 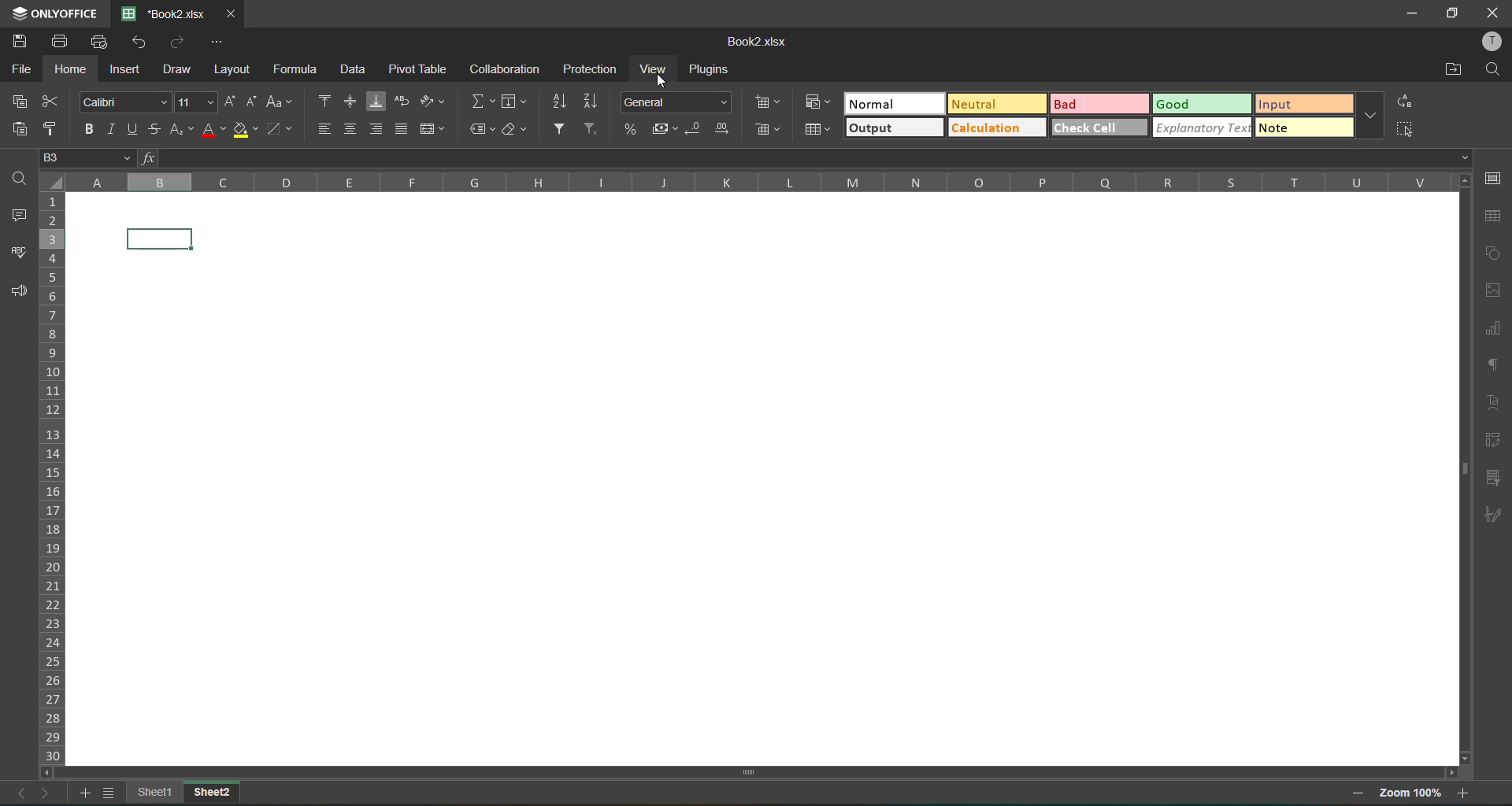 I want to click on next, so click(x=47, y=793).